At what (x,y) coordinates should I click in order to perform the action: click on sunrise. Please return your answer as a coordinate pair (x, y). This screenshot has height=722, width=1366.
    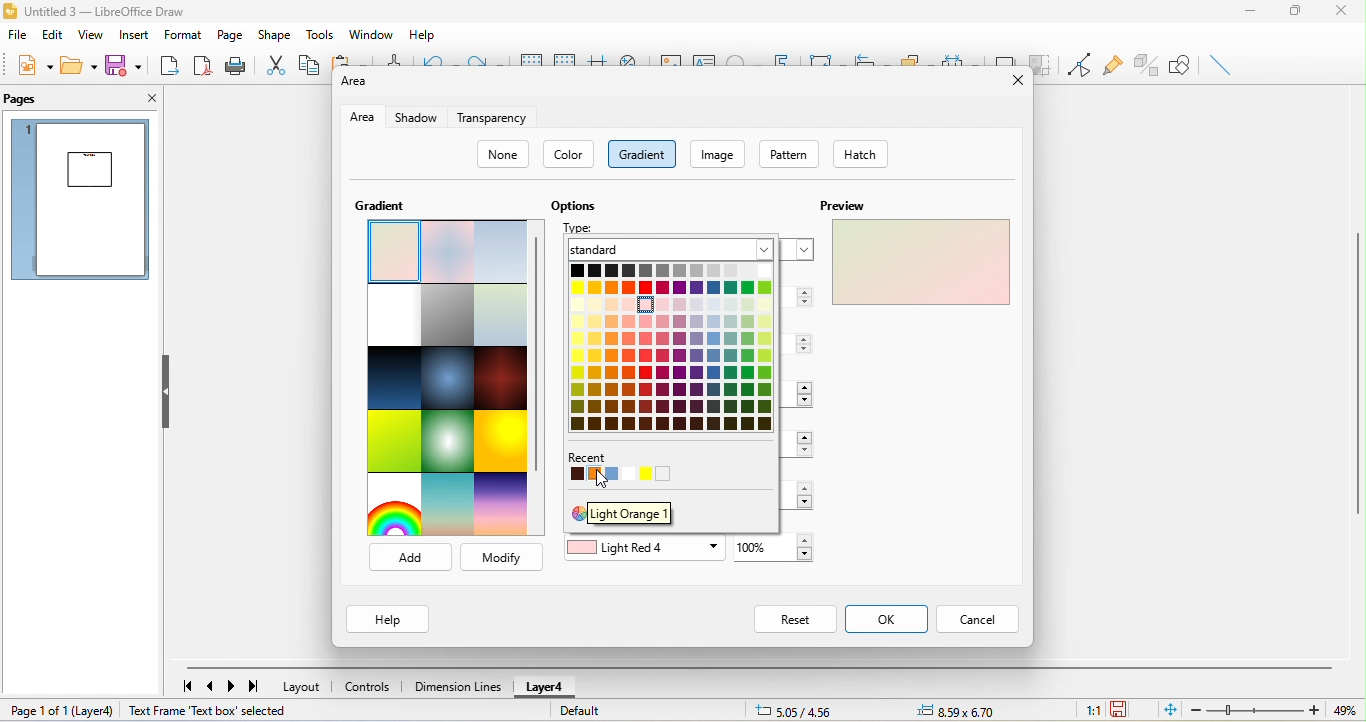
    Looking at the image, I should click on (449, 505).